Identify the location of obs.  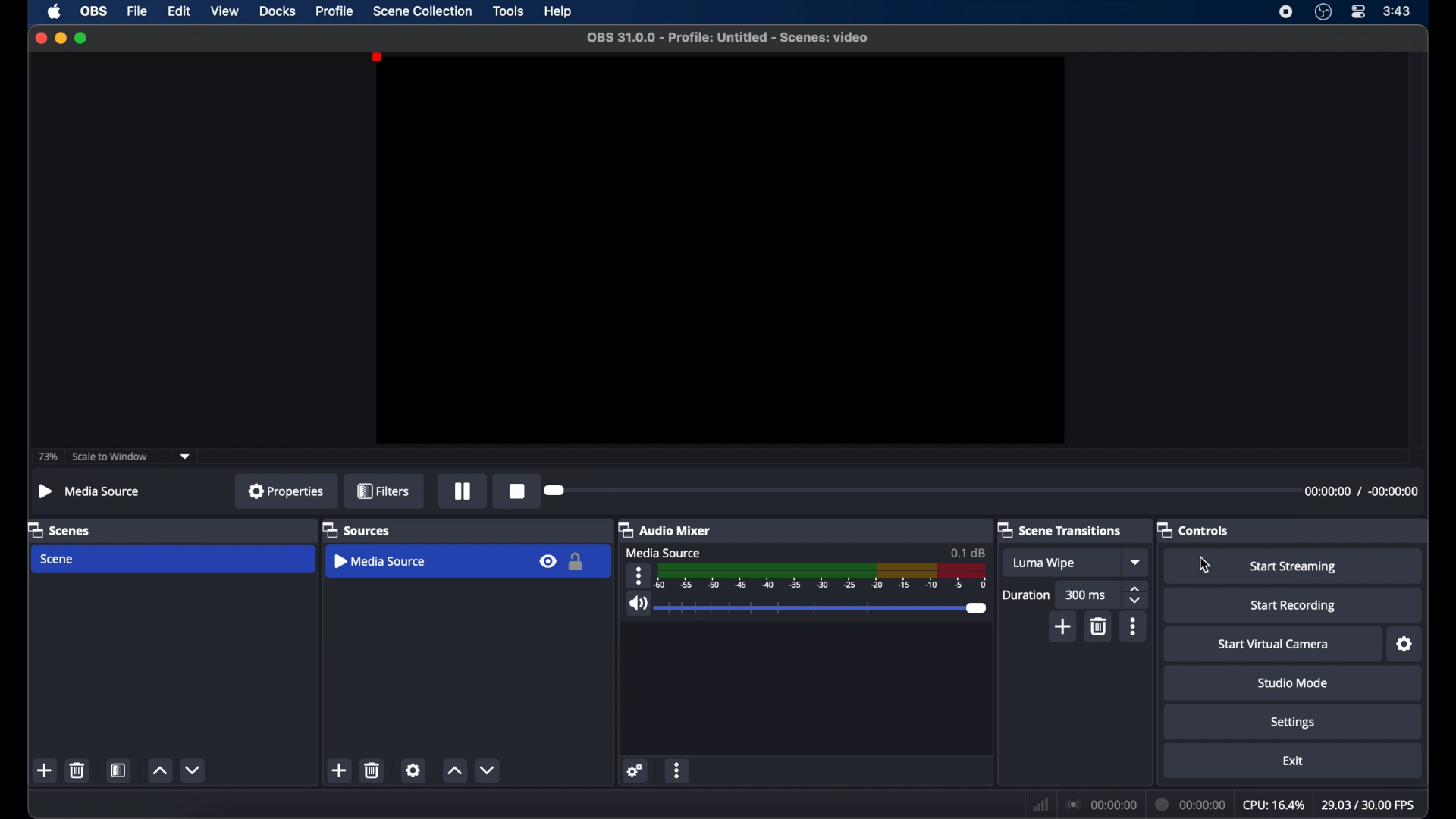
(94, 11).